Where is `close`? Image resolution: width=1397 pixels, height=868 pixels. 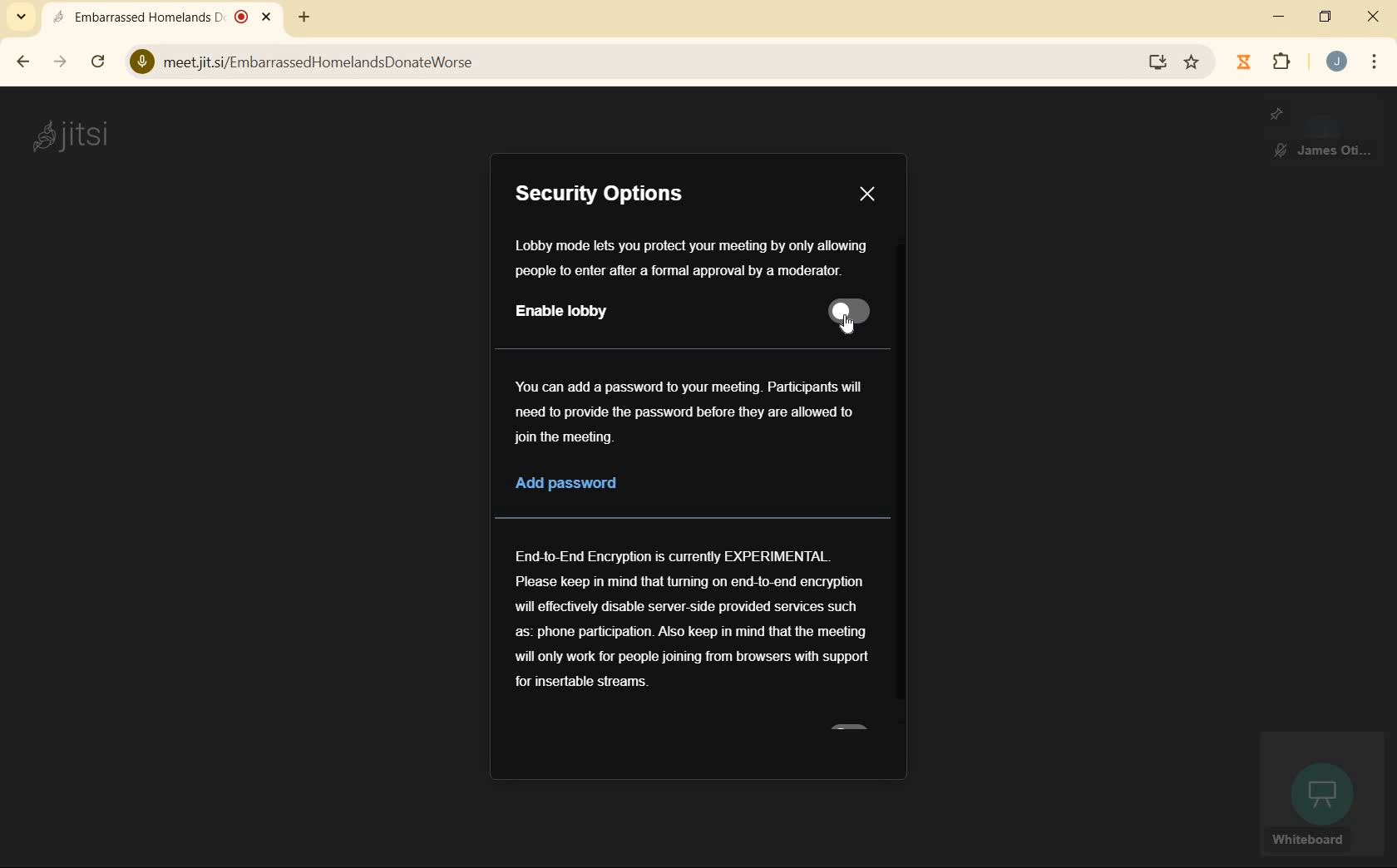
close is located at coordinates (1373, 18).